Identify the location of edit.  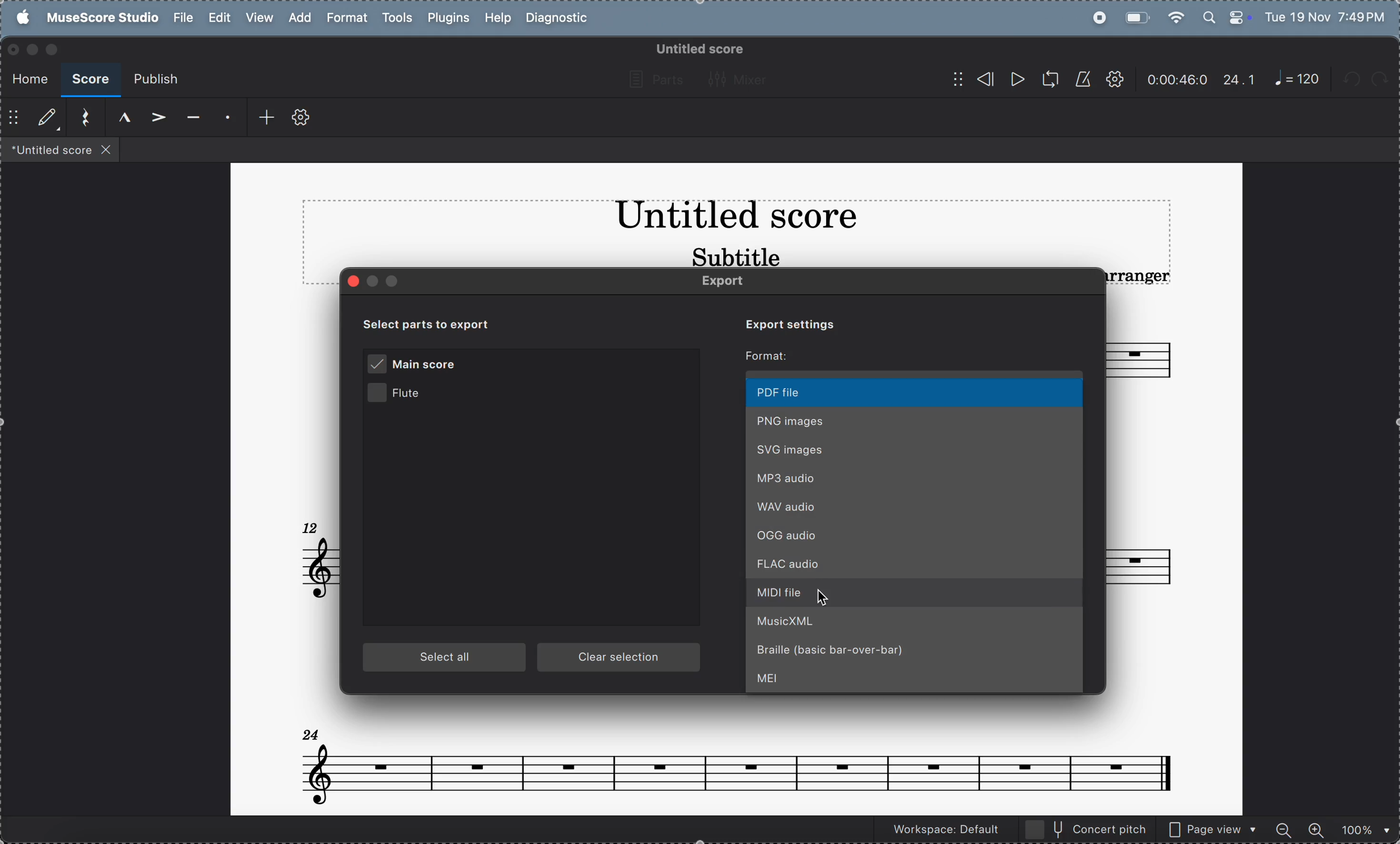
(220, 18).